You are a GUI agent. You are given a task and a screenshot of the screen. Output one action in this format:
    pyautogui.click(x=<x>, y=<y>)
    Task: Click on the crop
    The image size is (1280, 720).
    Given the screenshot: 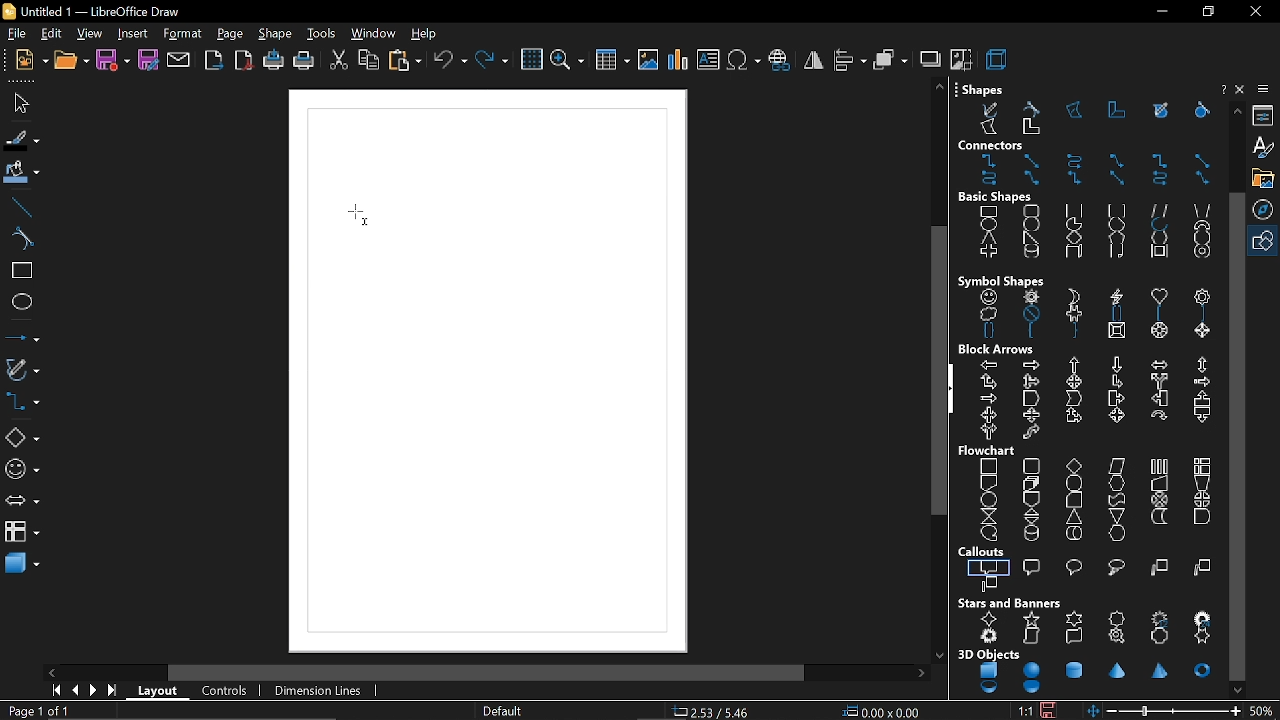 What is the action you would take?
    pyautogui.click(x=960, y=60)
    